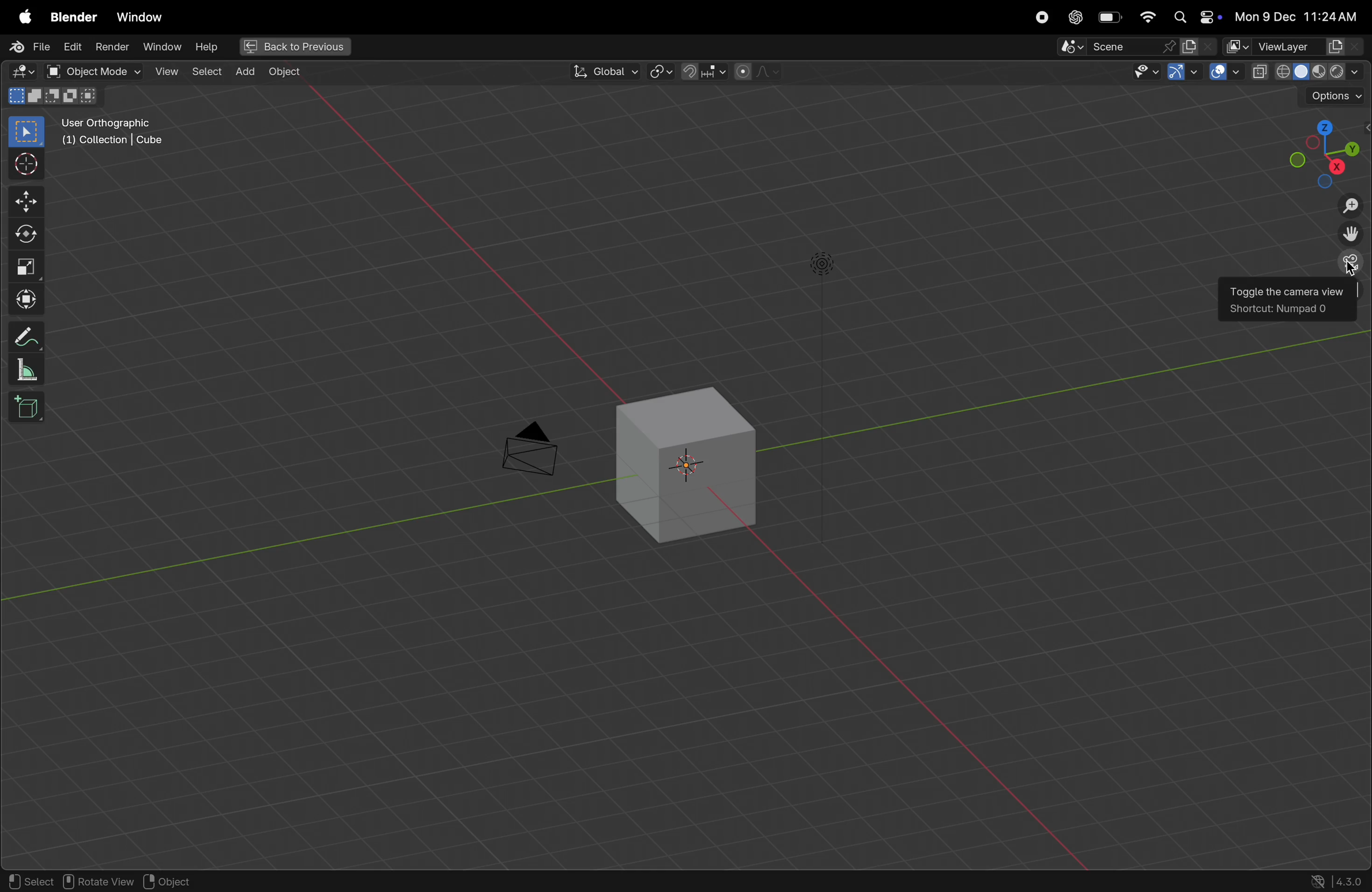  Describe the element at coordinates (1141, 73) in the screenshot. I see `visibility` at that location.